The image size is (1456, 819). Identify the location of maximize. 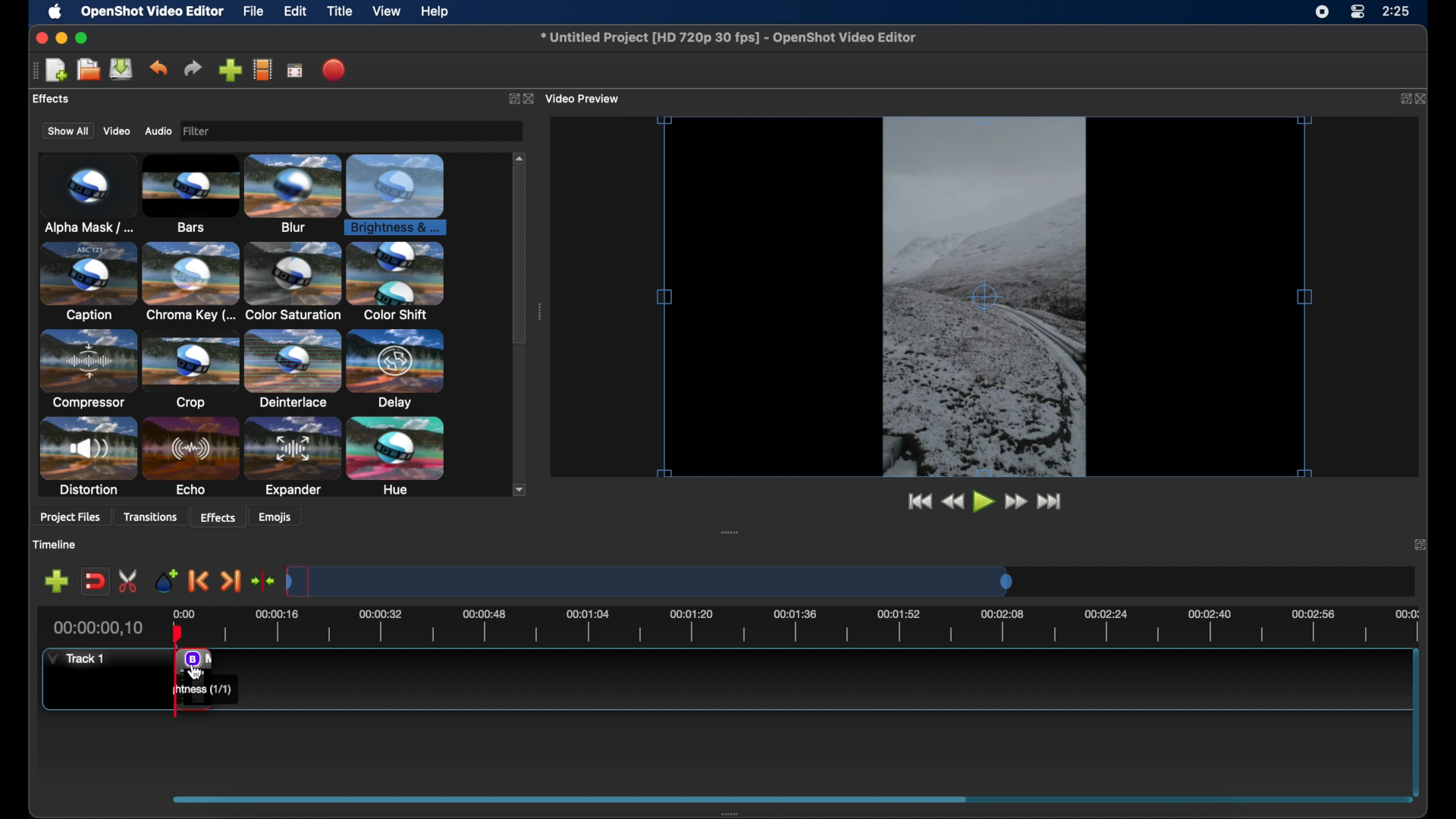
(83, 38).